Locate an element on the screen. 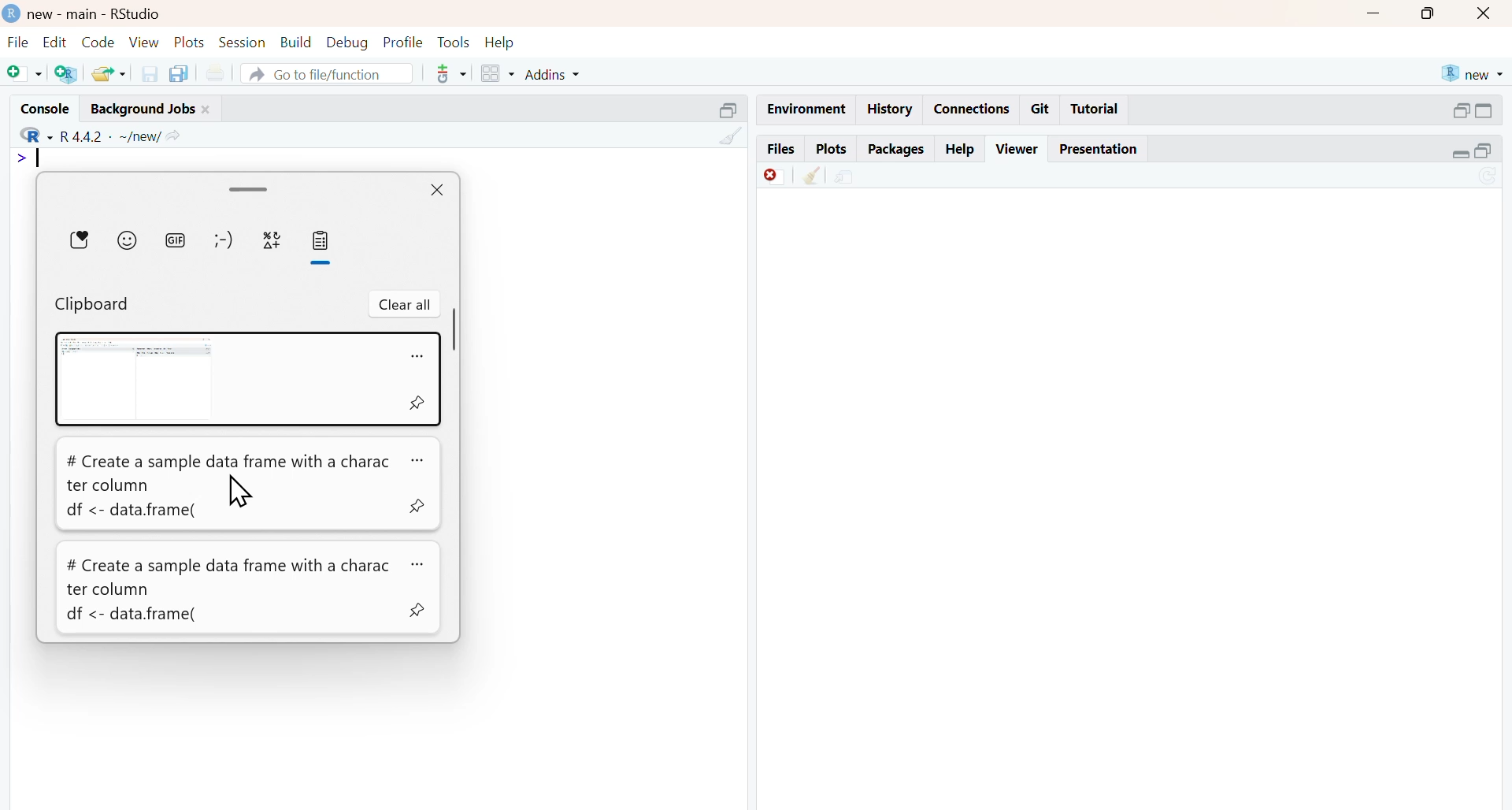  R is located at coordinates (36, 135).